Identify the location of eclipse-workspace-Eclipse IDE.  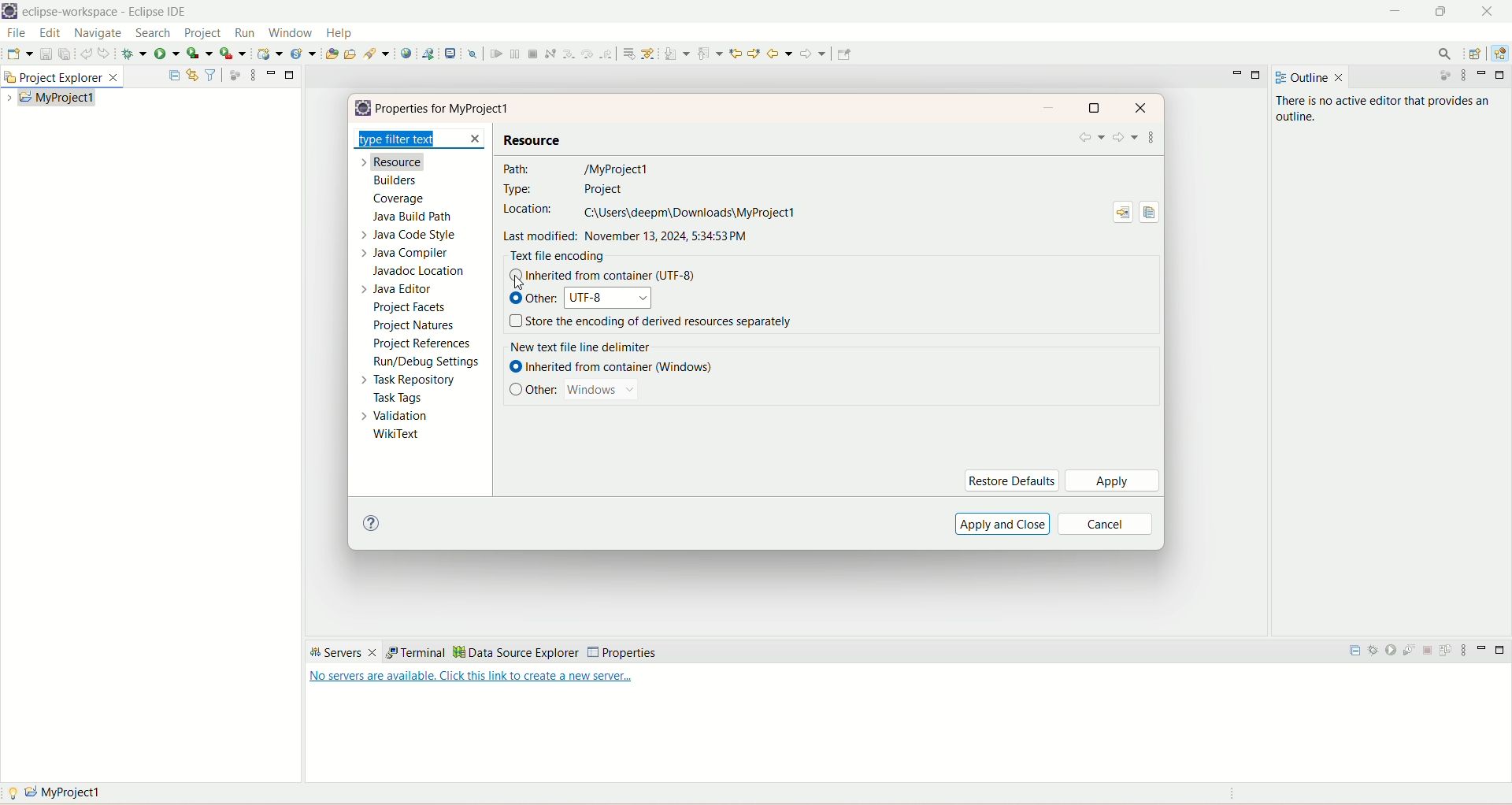
(107, 12).